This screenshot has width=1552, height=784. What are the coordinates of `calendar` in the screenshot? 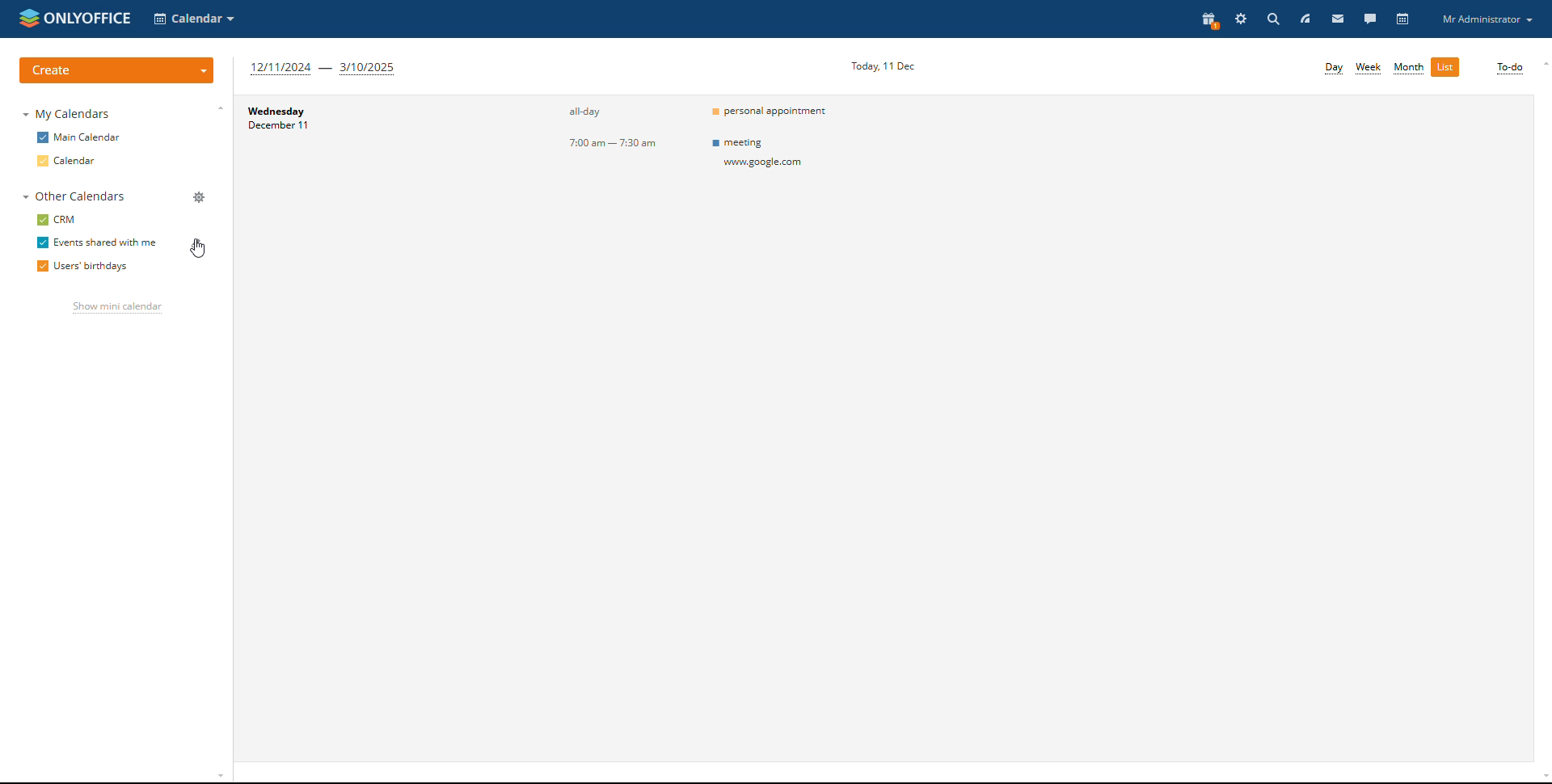 It's located at (1404, 19).